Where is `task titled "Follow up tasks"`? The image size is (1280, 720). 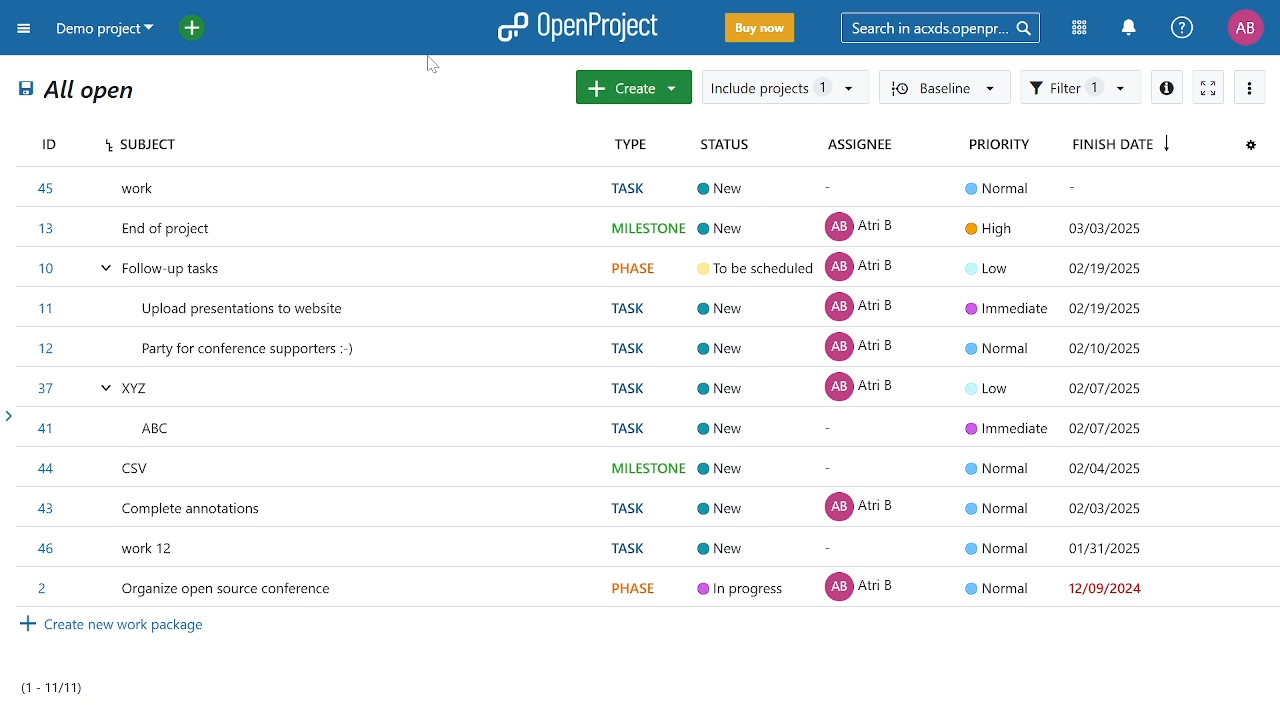 task titled "Follow up tasks" is located at coordinates (645, 228).